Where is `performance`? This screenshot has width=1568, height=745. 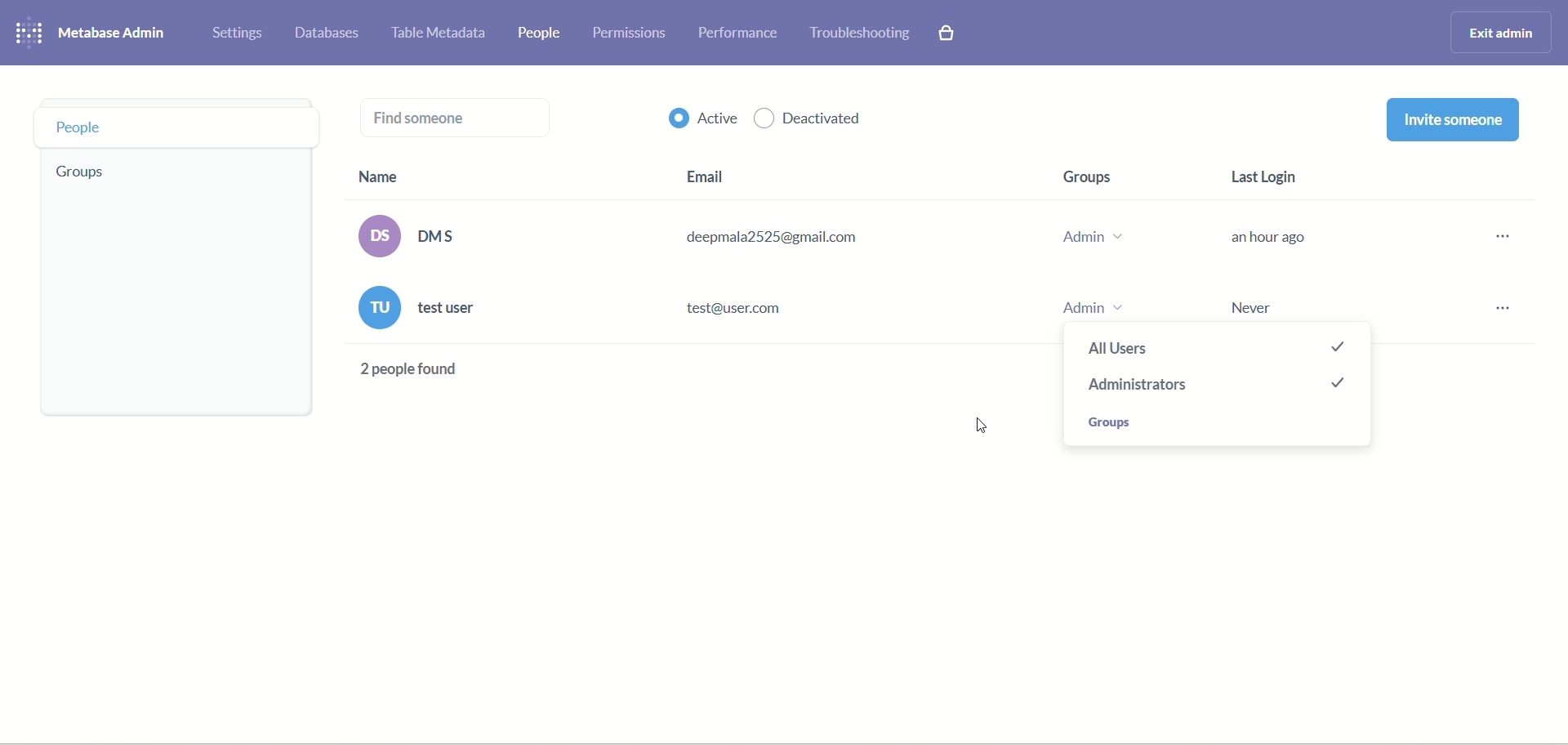 performance is located at coordinates (742, 33).